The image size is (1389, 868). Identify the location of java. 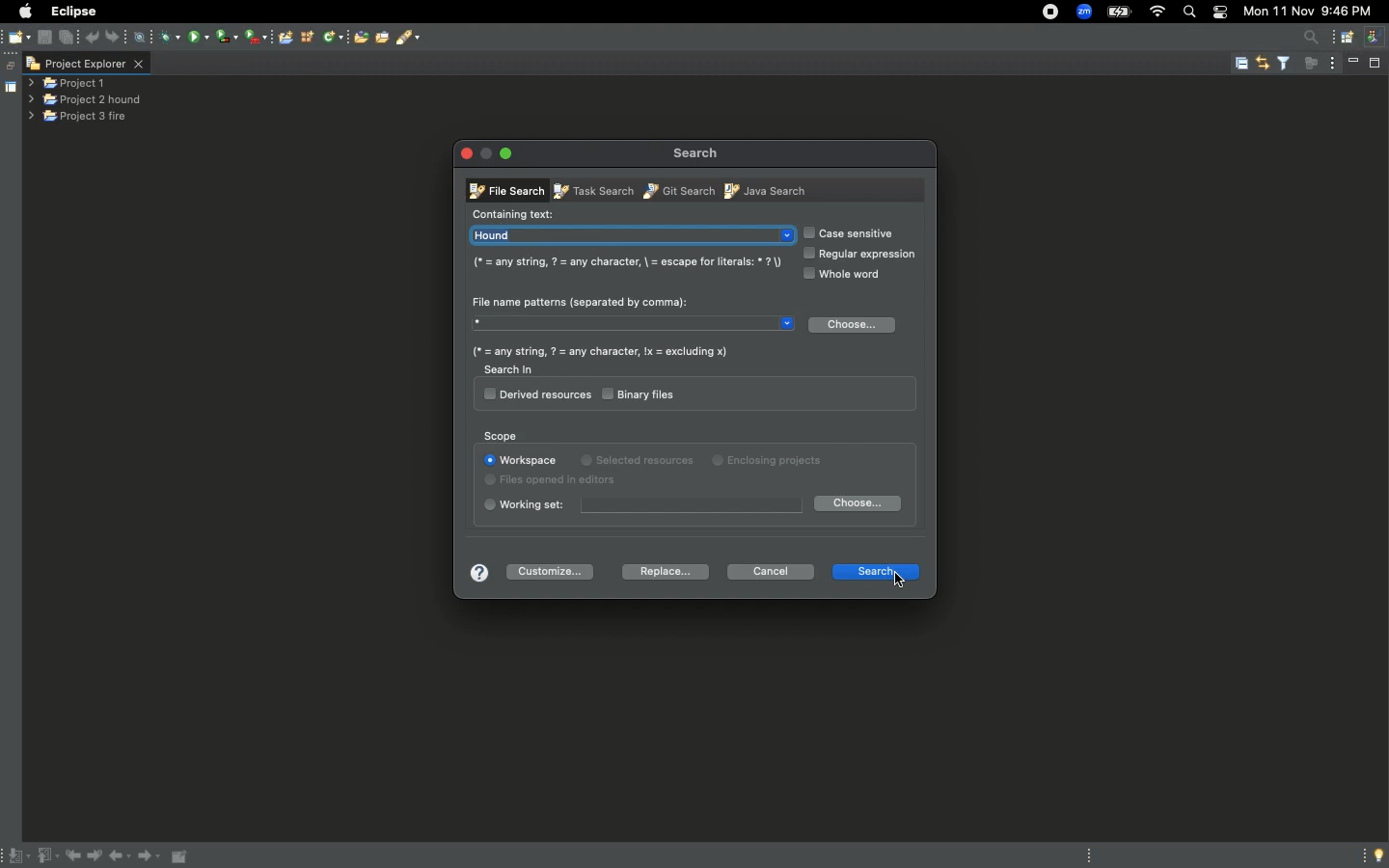
(1376, 35).